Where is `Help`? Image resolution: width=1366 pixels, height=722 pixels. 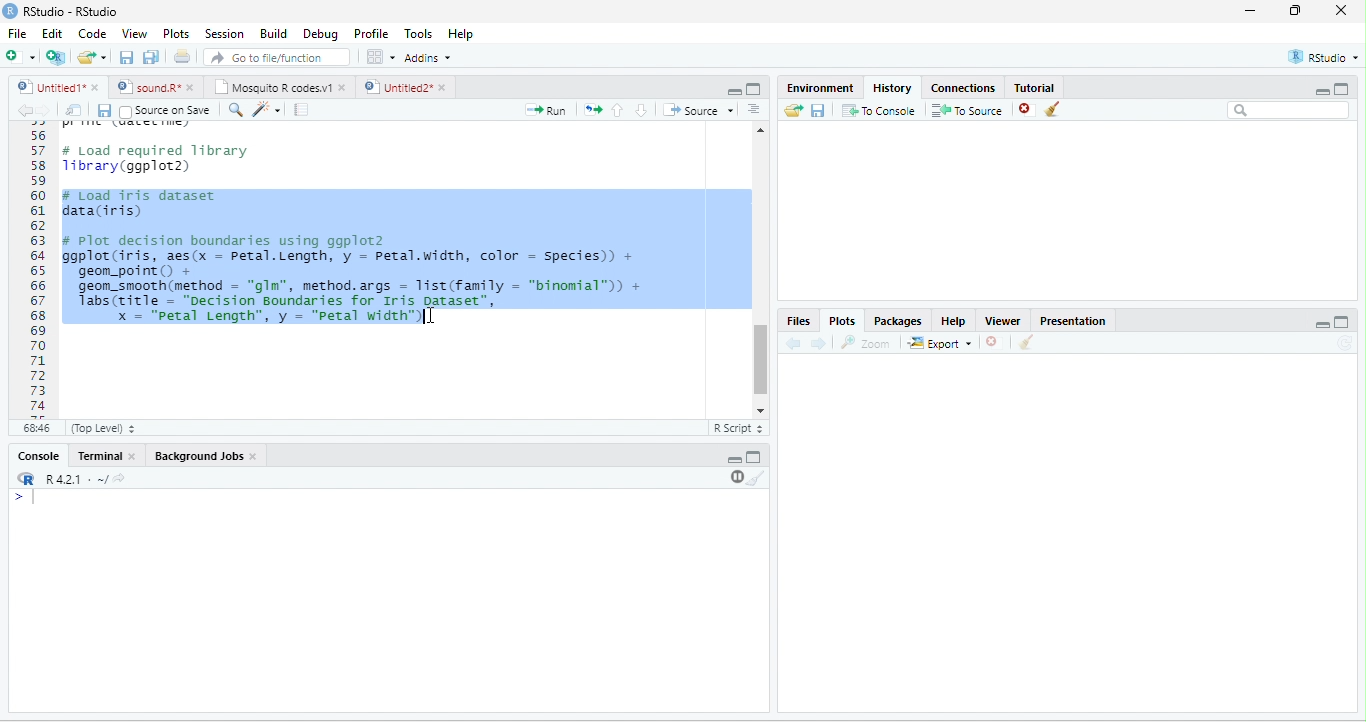 Help is located at coordinates (954, 321).